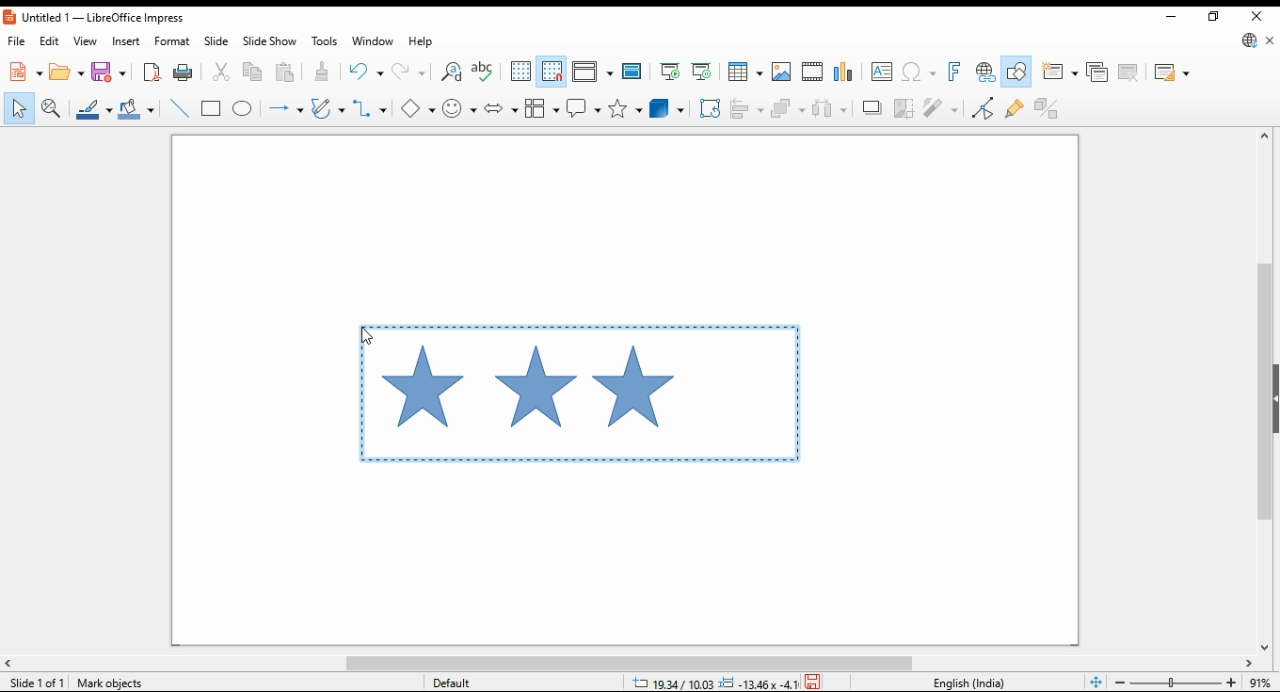 This screenshot has width=1280, height=692. I want to click on paste, so click(287, 72).